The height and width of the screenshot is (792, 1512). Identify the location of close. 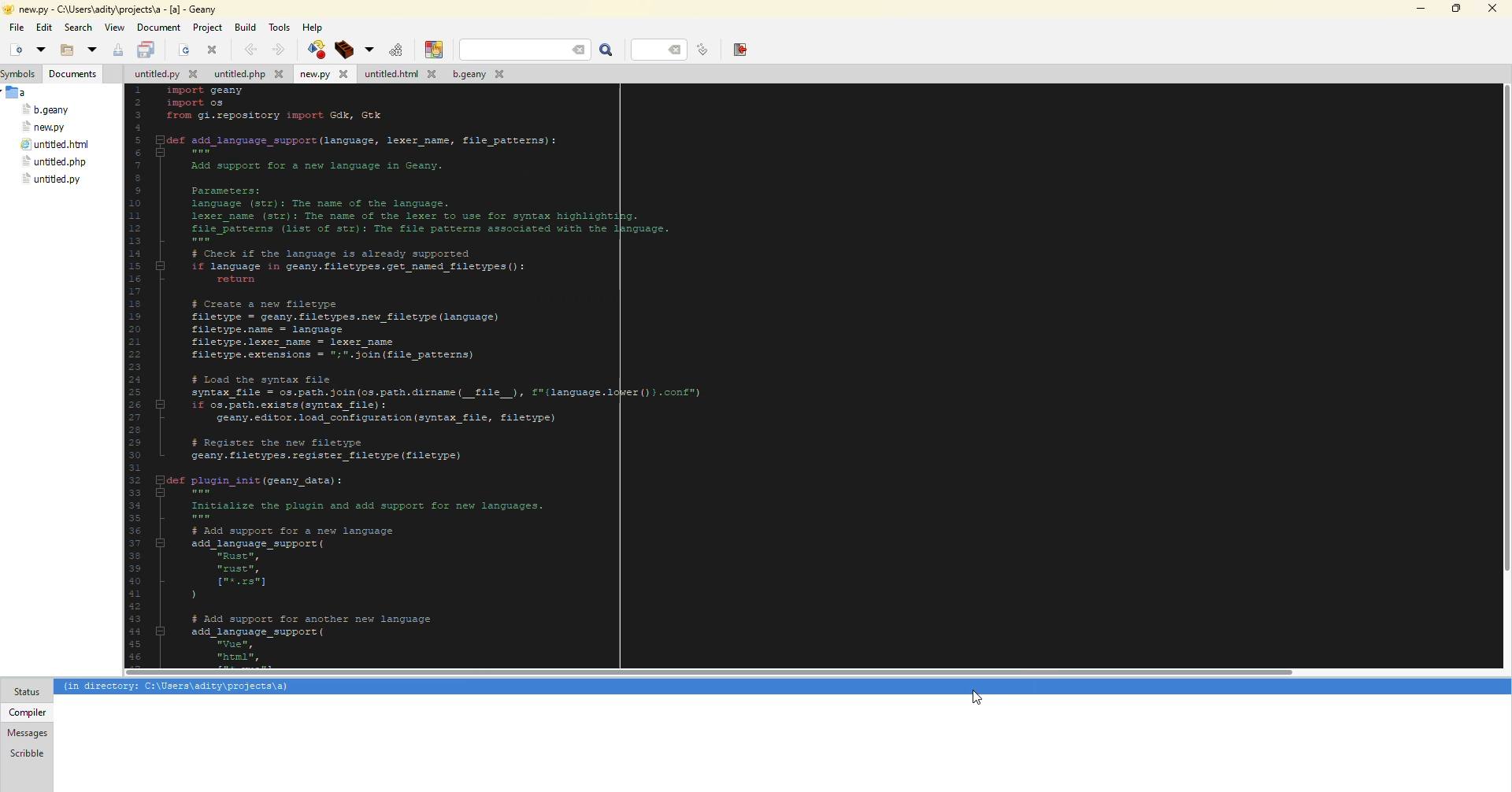
(213, 50).